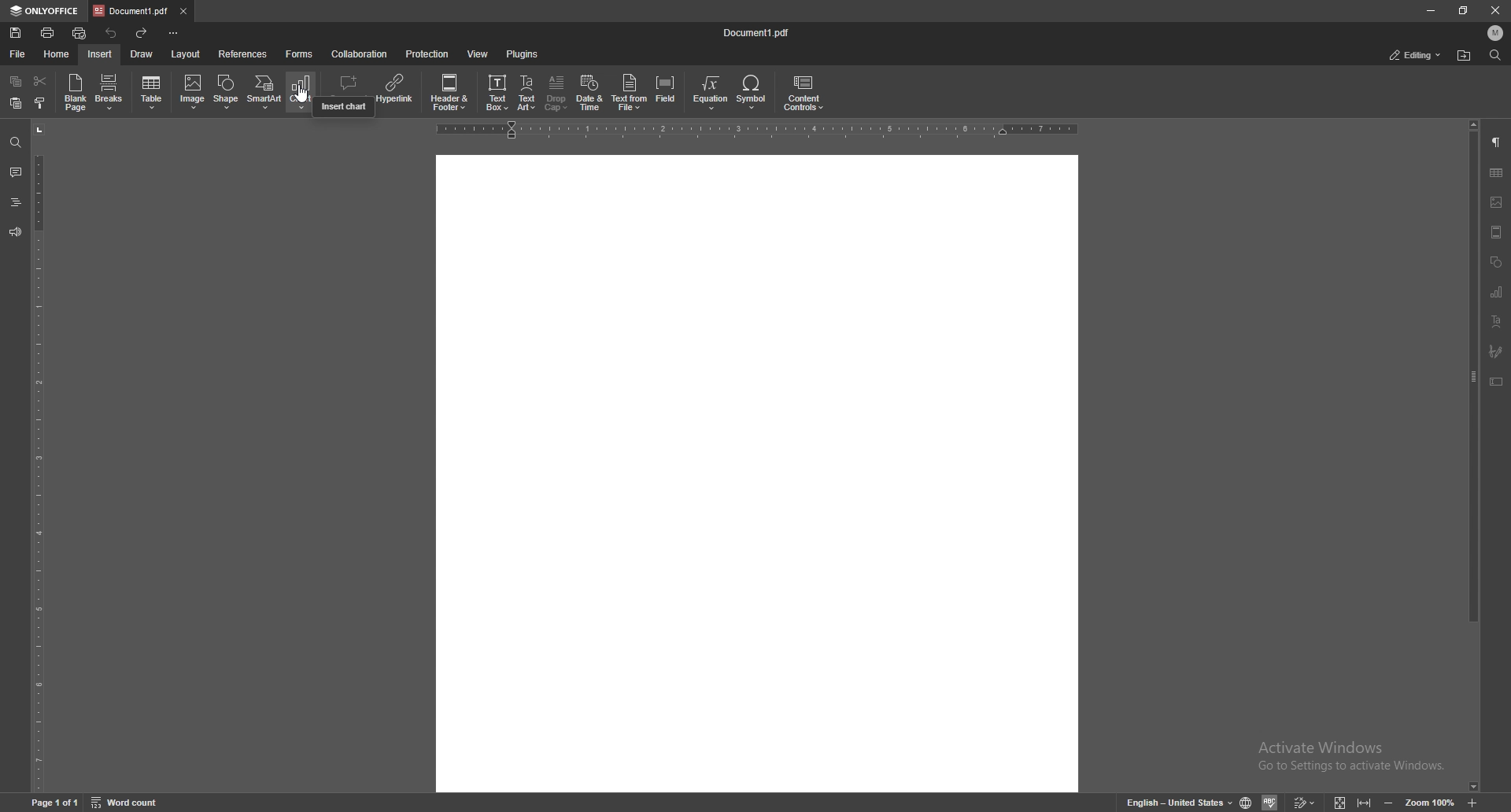  Describe the element at coordinates (265, 93) in the screenshot. I see `smart art` at that location.